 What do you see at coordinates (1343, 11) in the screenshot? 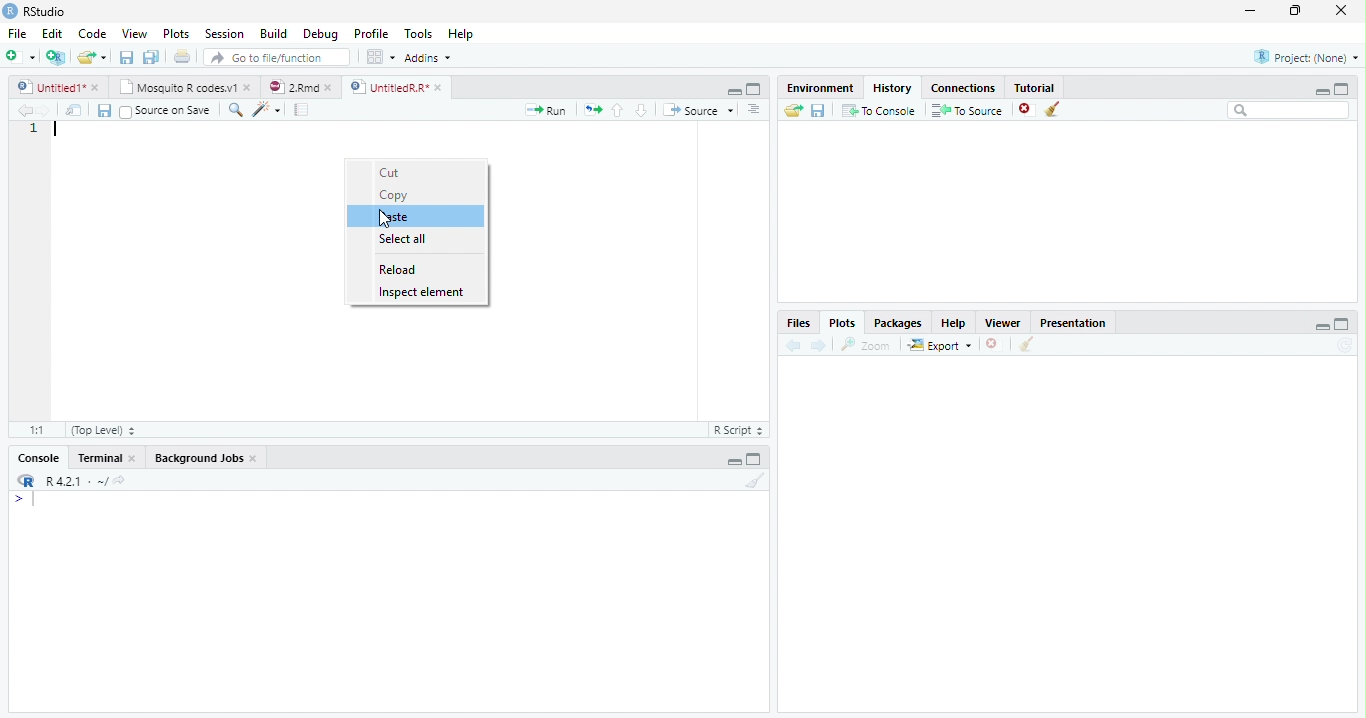
I see `Close` at bounding box center [1343, 11].